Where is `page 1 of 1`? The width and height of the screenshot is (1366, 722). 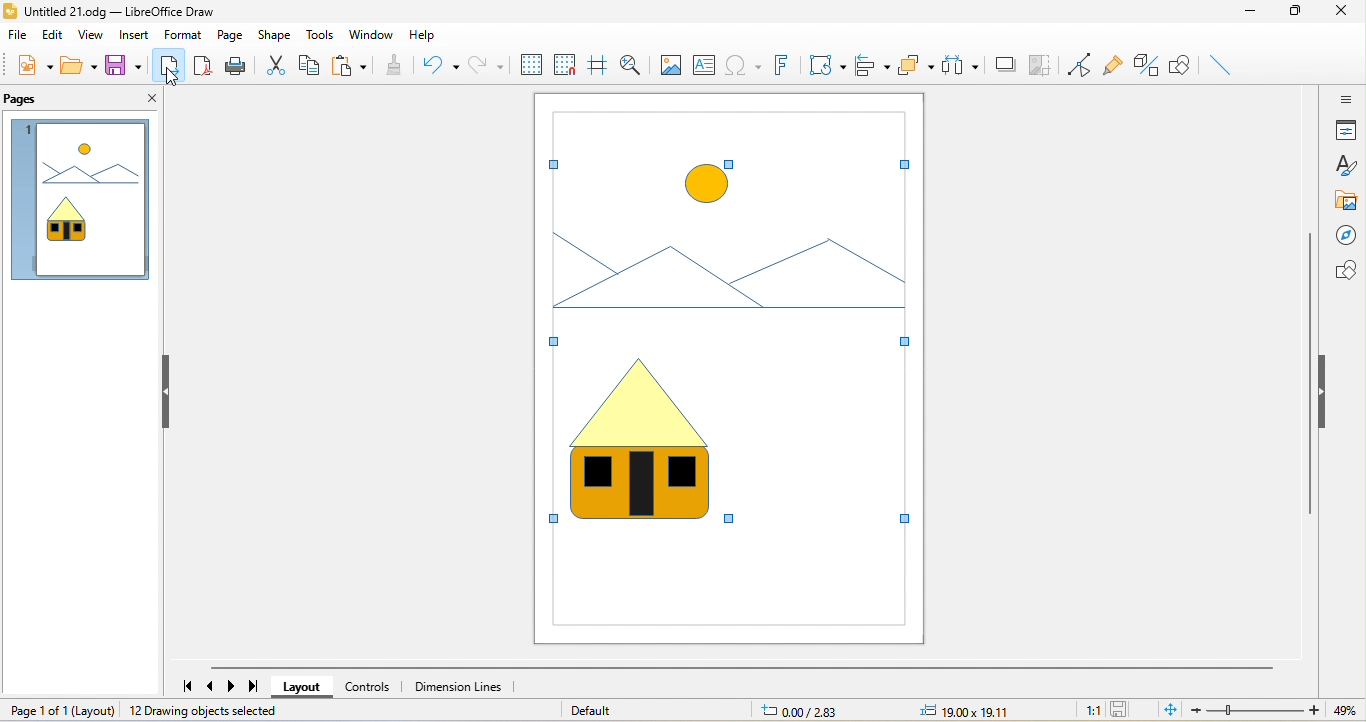 page 1 of 1 is located at coordinates (60, 709).